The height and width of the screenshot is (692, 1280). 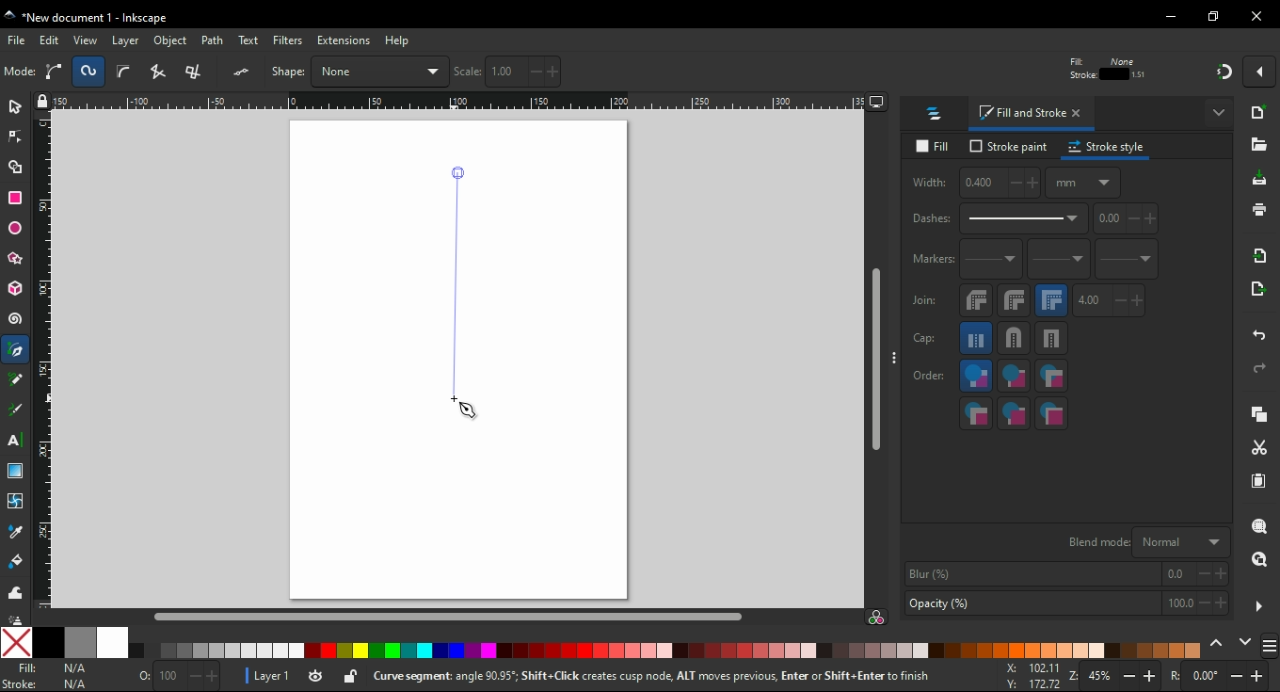 What do you see at coordinates (17, 351) in the screenshot?
I see `pen tool` at bounding box center [17, 351].